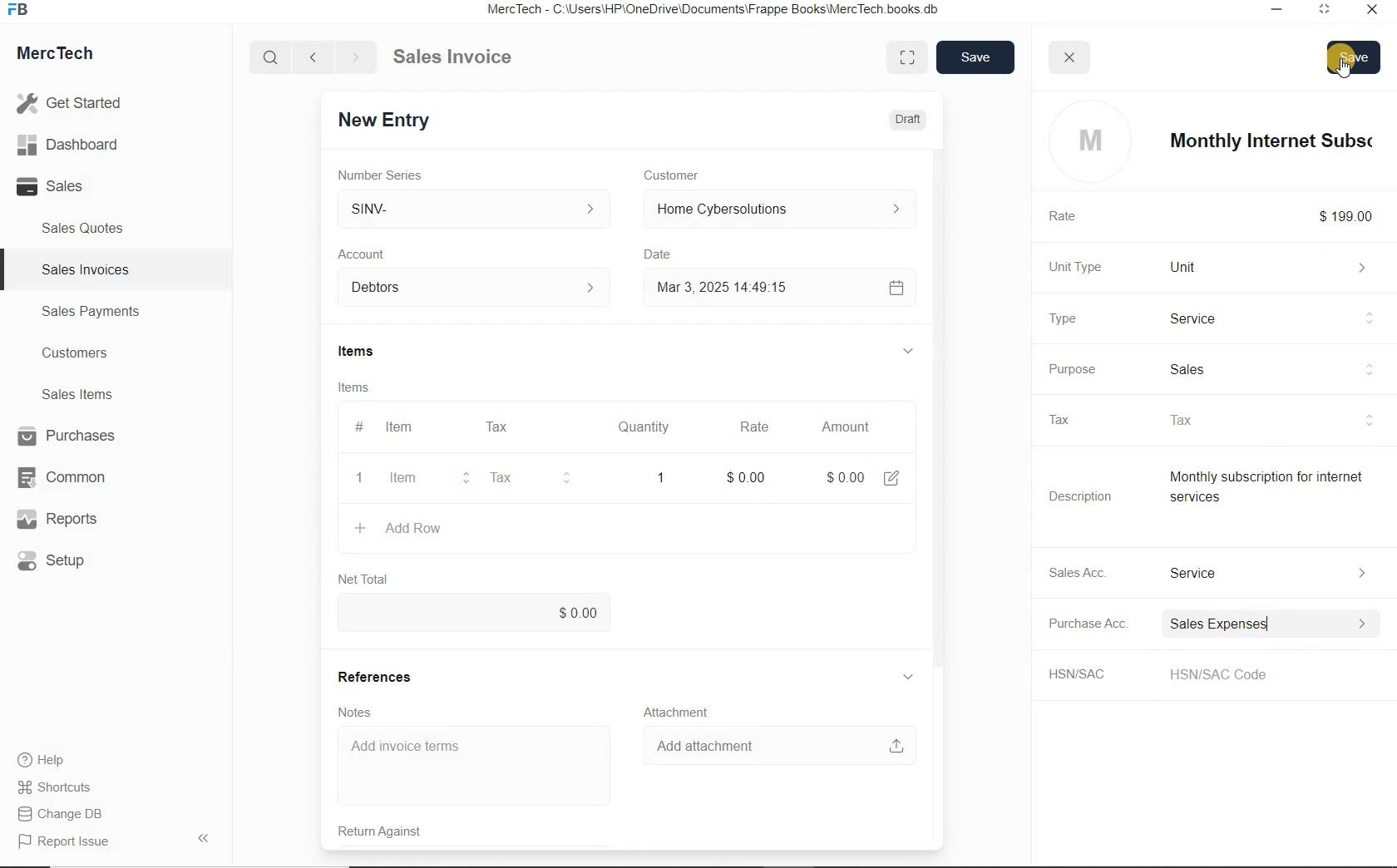 The image size is (1397, 868). Describe the element at coordinates (391, 830) in the screenshot. I see `Return Against` at that location.